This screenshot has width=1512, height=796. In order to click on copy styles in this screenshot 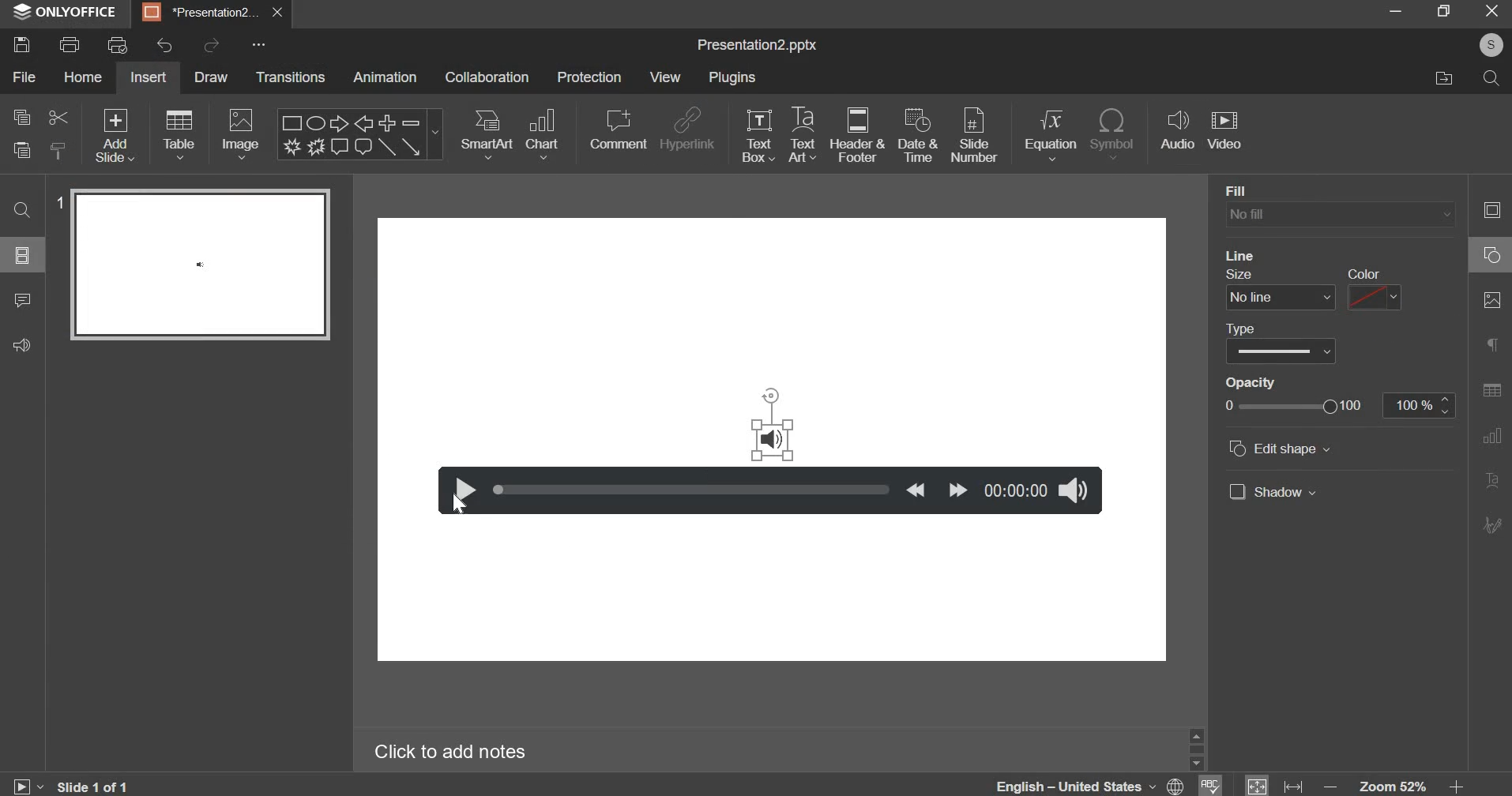, I will do `click(60, 151)`.